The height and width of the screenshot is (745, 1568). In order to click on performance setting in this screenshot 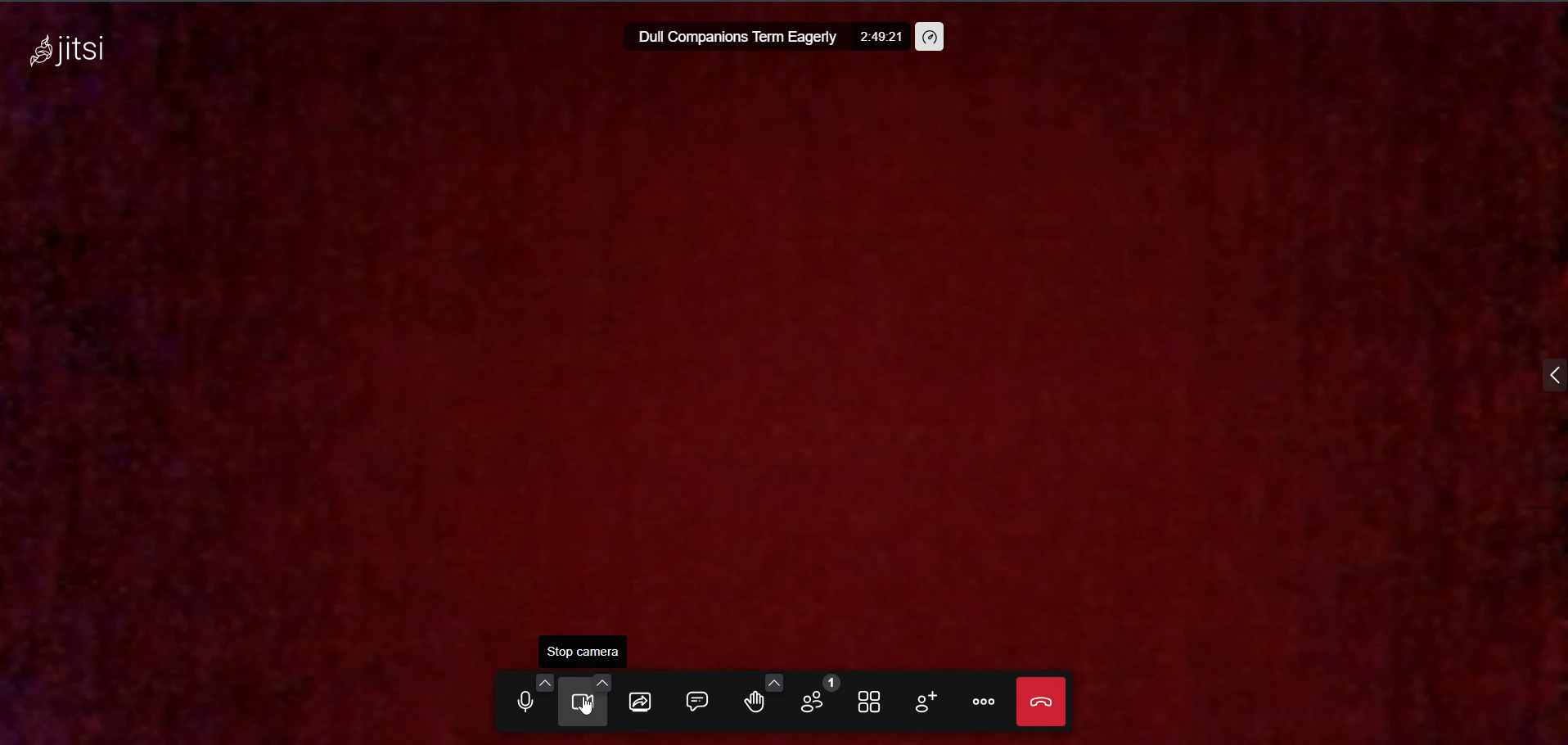, I will do `click(932, 37)`.